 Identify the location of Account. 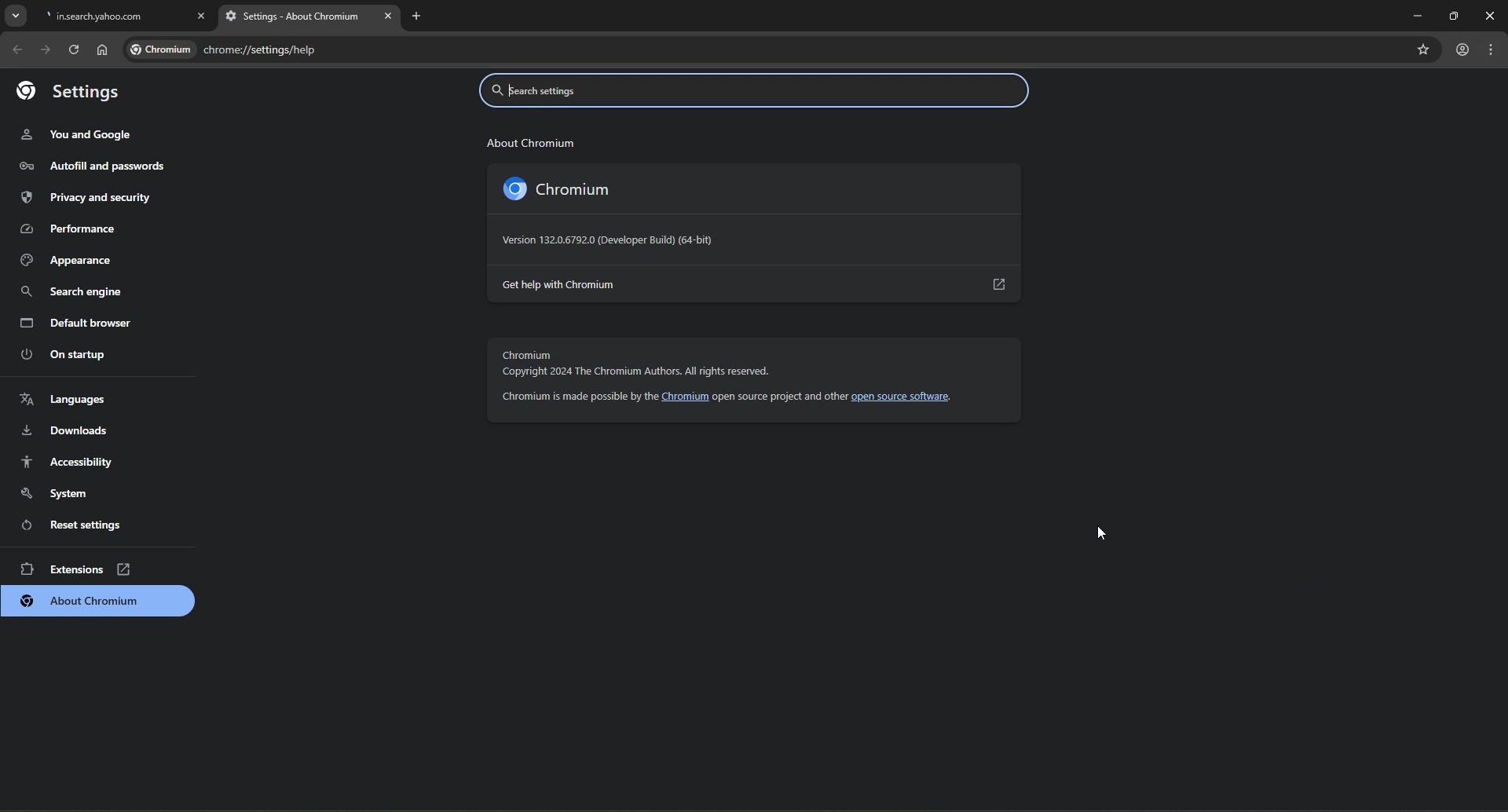
(1462, 49).